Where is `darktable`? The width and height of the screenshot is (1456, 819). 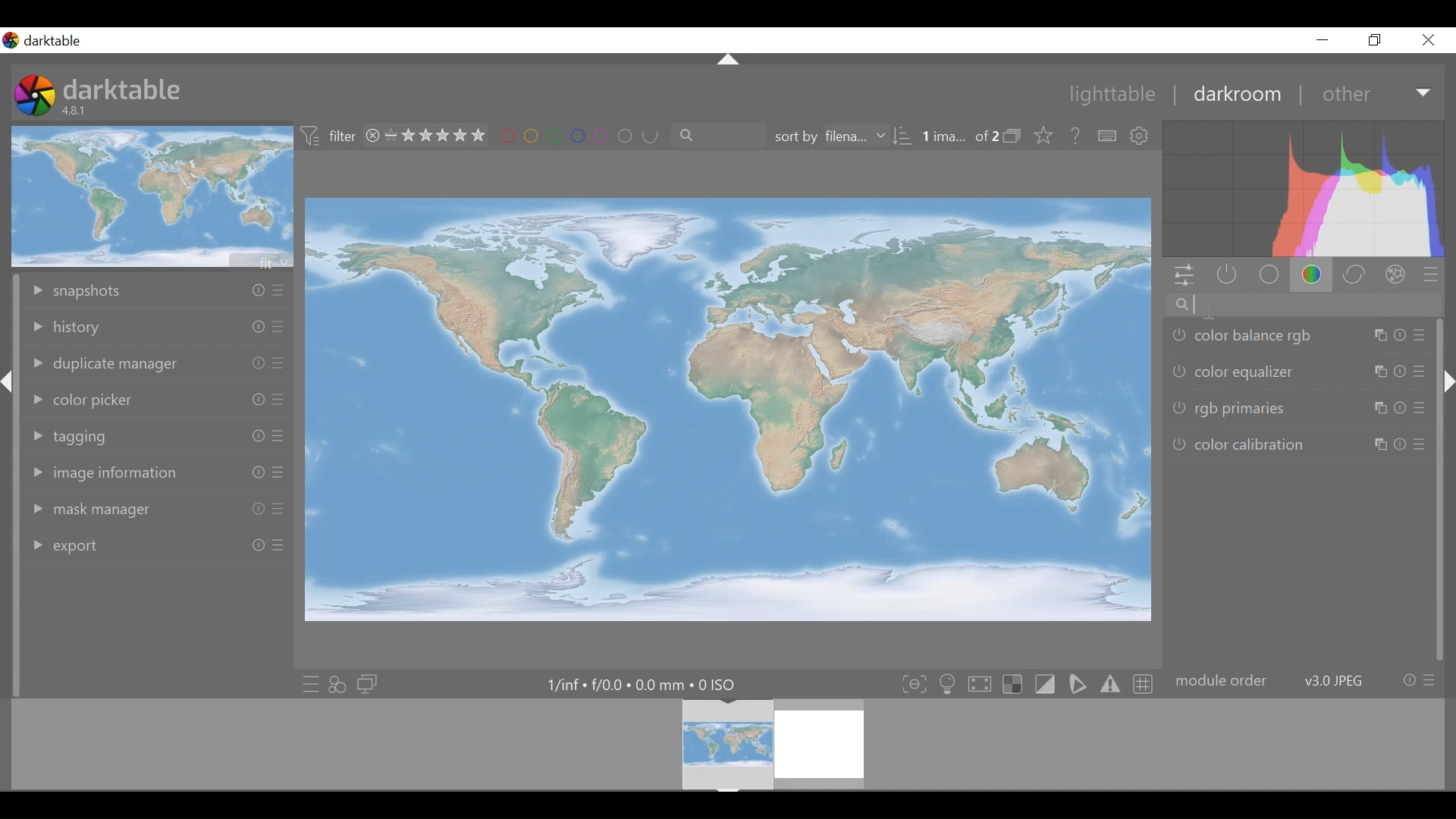 darktable is located at coordinates (122, 89).